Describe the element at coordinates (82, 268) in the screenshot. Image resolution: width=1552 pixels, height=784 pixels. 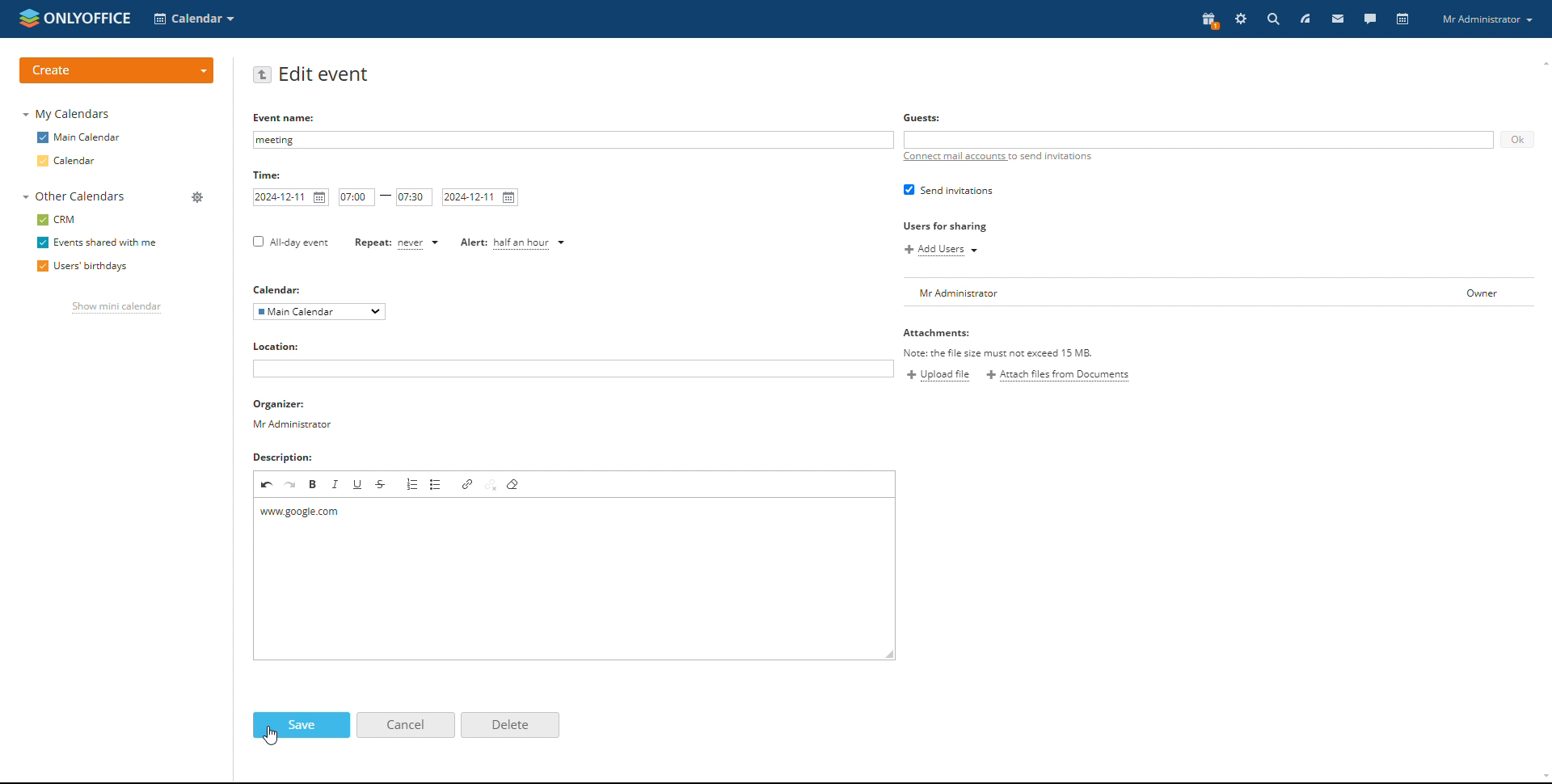
I see `users' birthdays` at that location.